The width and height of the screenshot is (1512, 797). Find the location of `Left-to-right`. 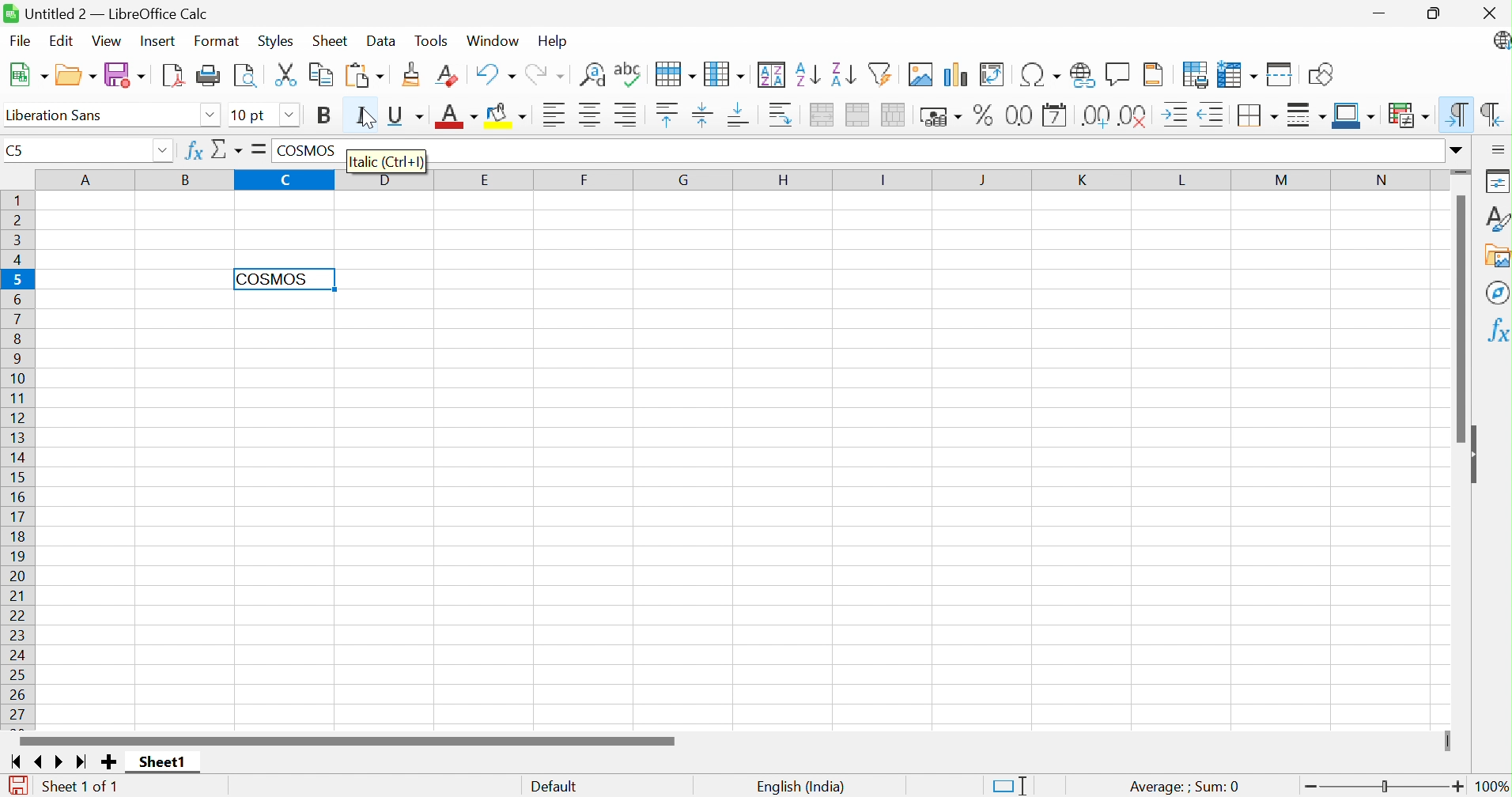

Left-to-right is located at coordinates (1458, 113).